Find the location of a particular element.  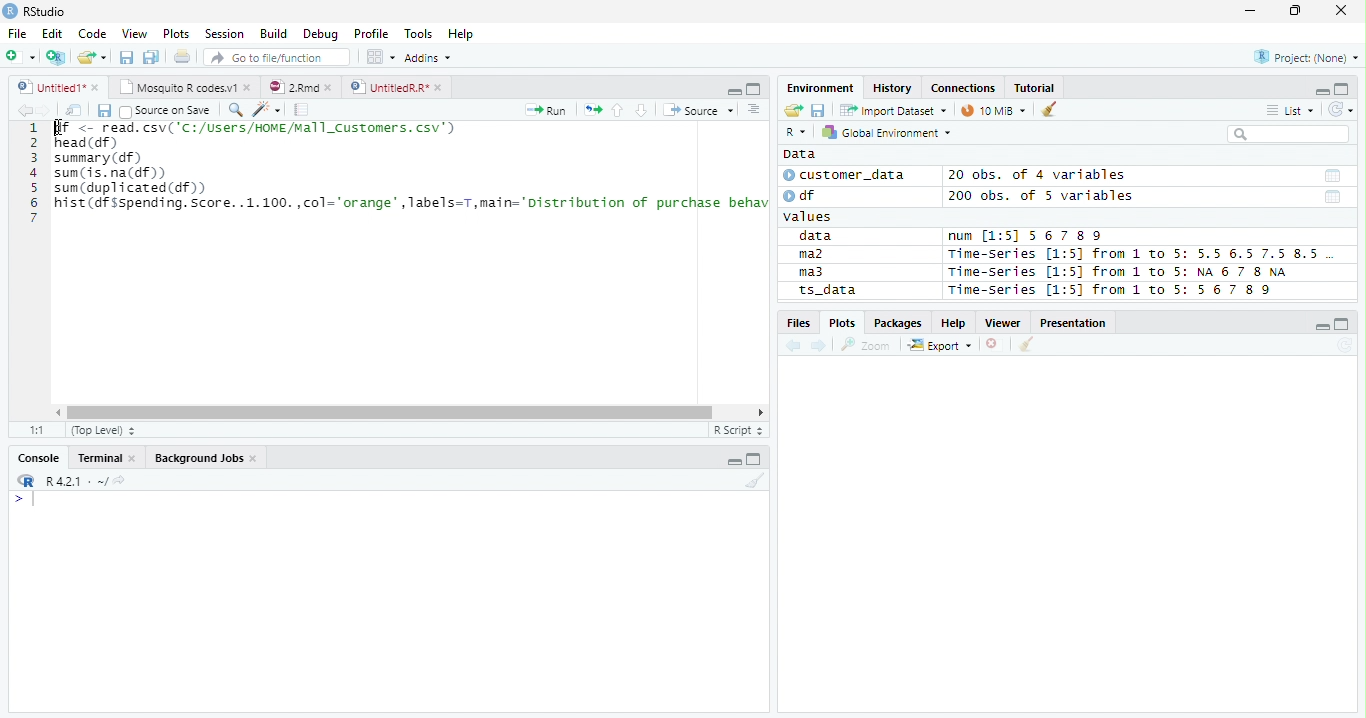

Console is located at coordinates (39, 456).